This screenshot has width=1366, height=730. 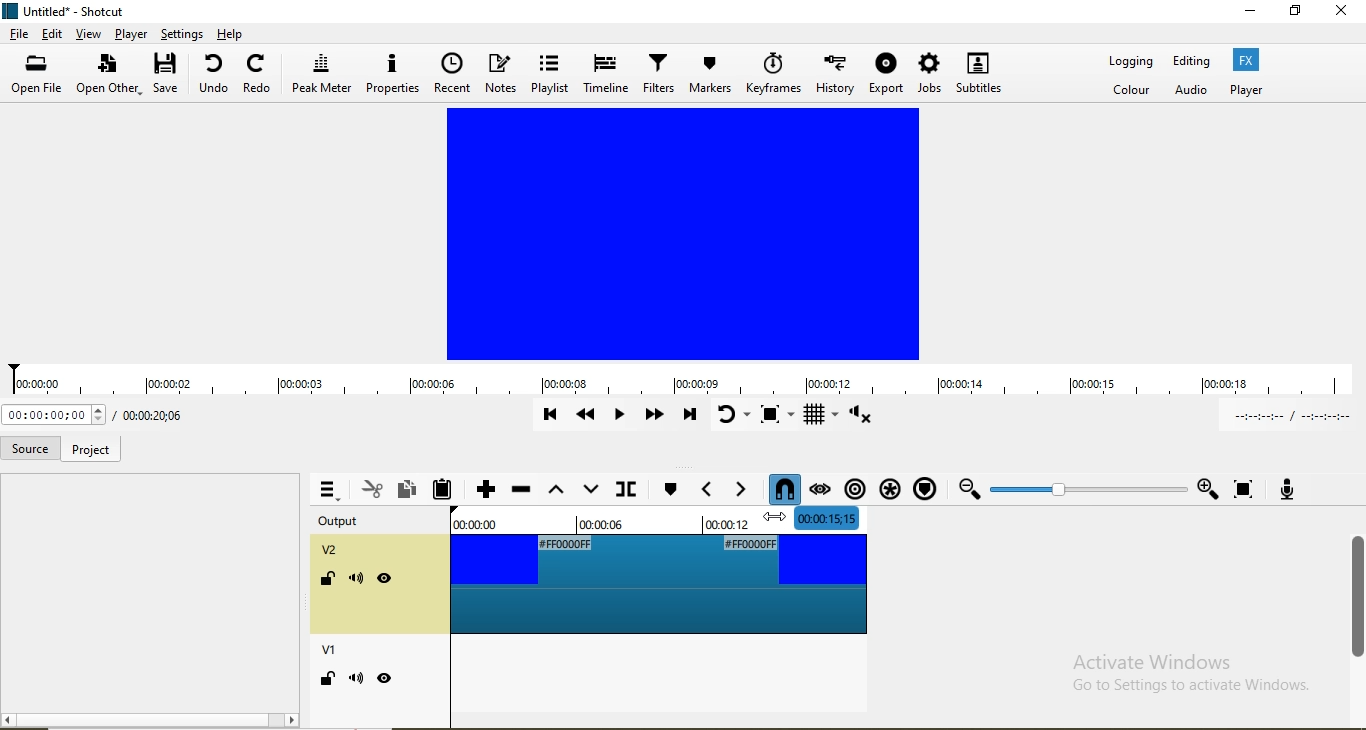 What do you see at coordinates (781, 489) in the screenshot?
I see `Snap` at bounding box center [781, 489].